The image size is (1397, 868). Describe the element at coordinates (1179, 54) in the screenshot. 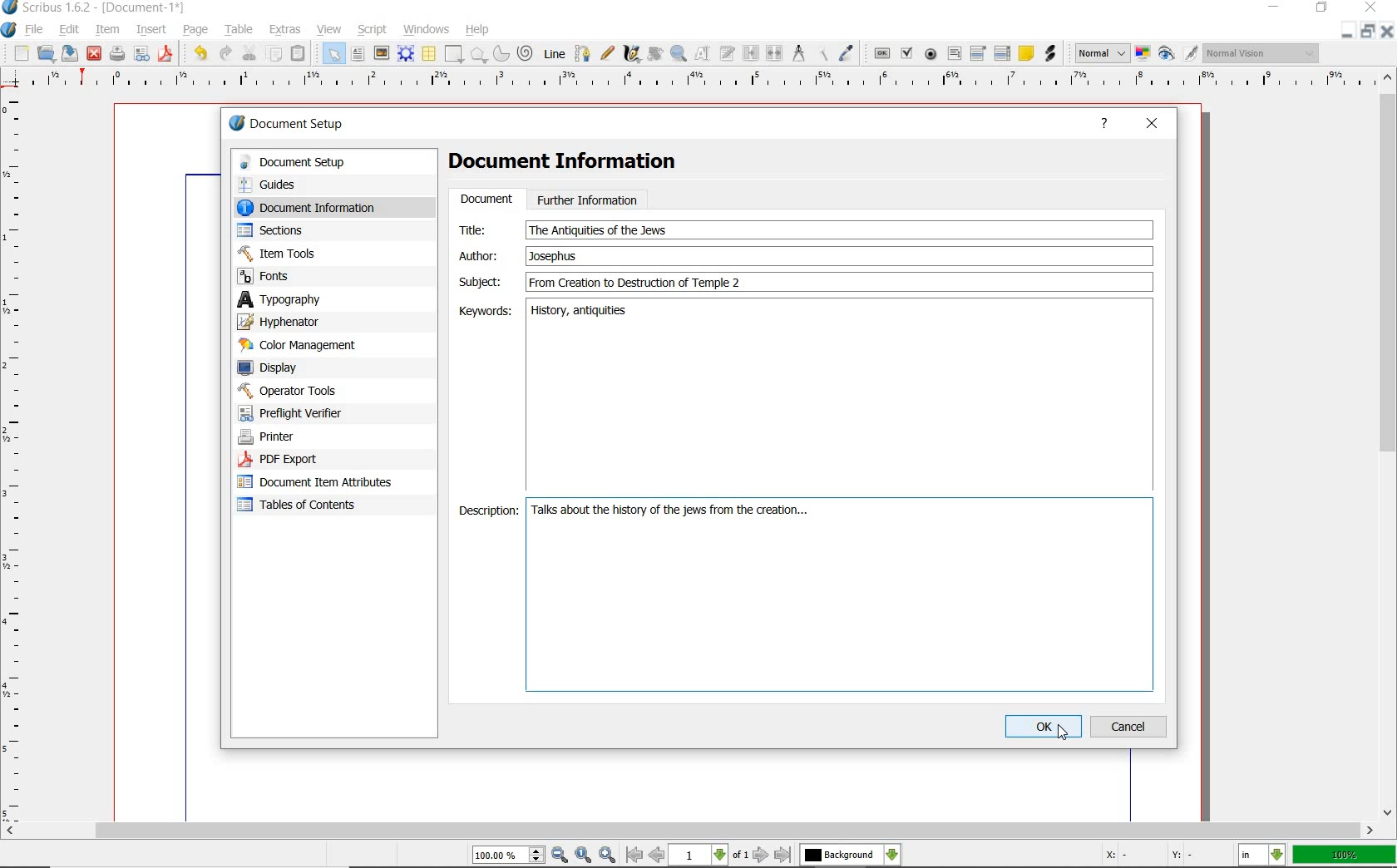

I see `preview mode` at that location.